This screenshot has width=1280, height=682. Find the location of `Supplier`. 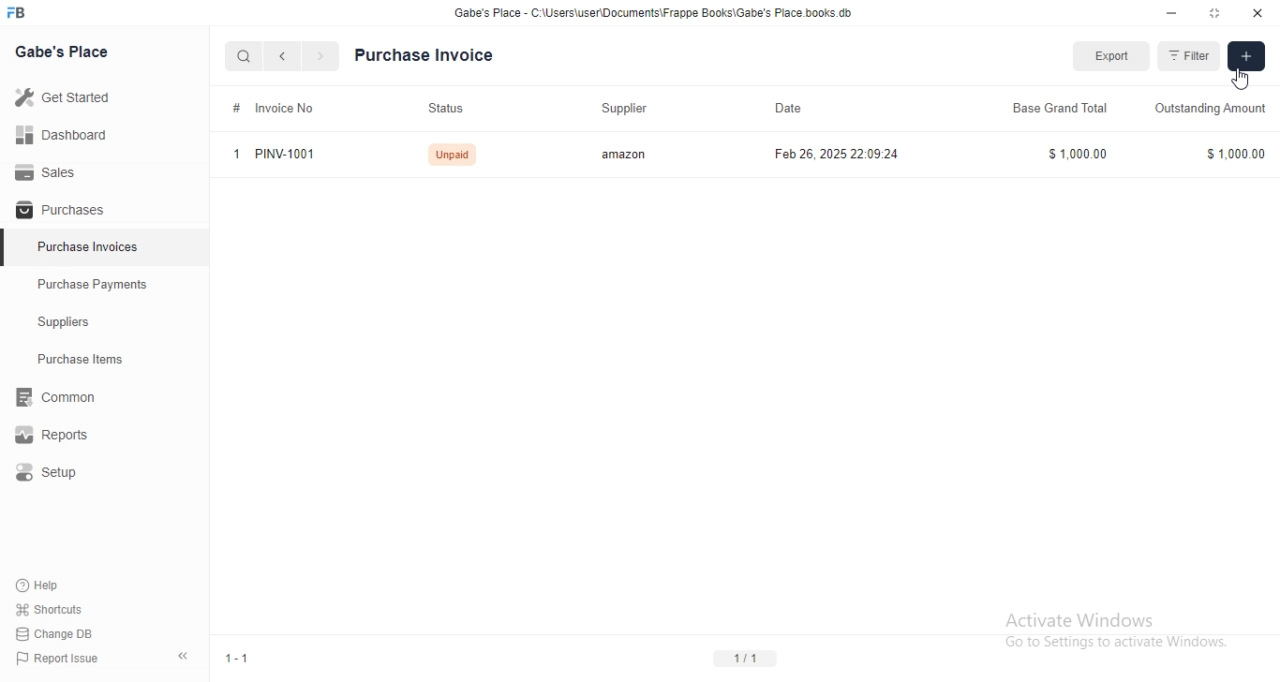

Supplier is located at coordinates (629, 109).